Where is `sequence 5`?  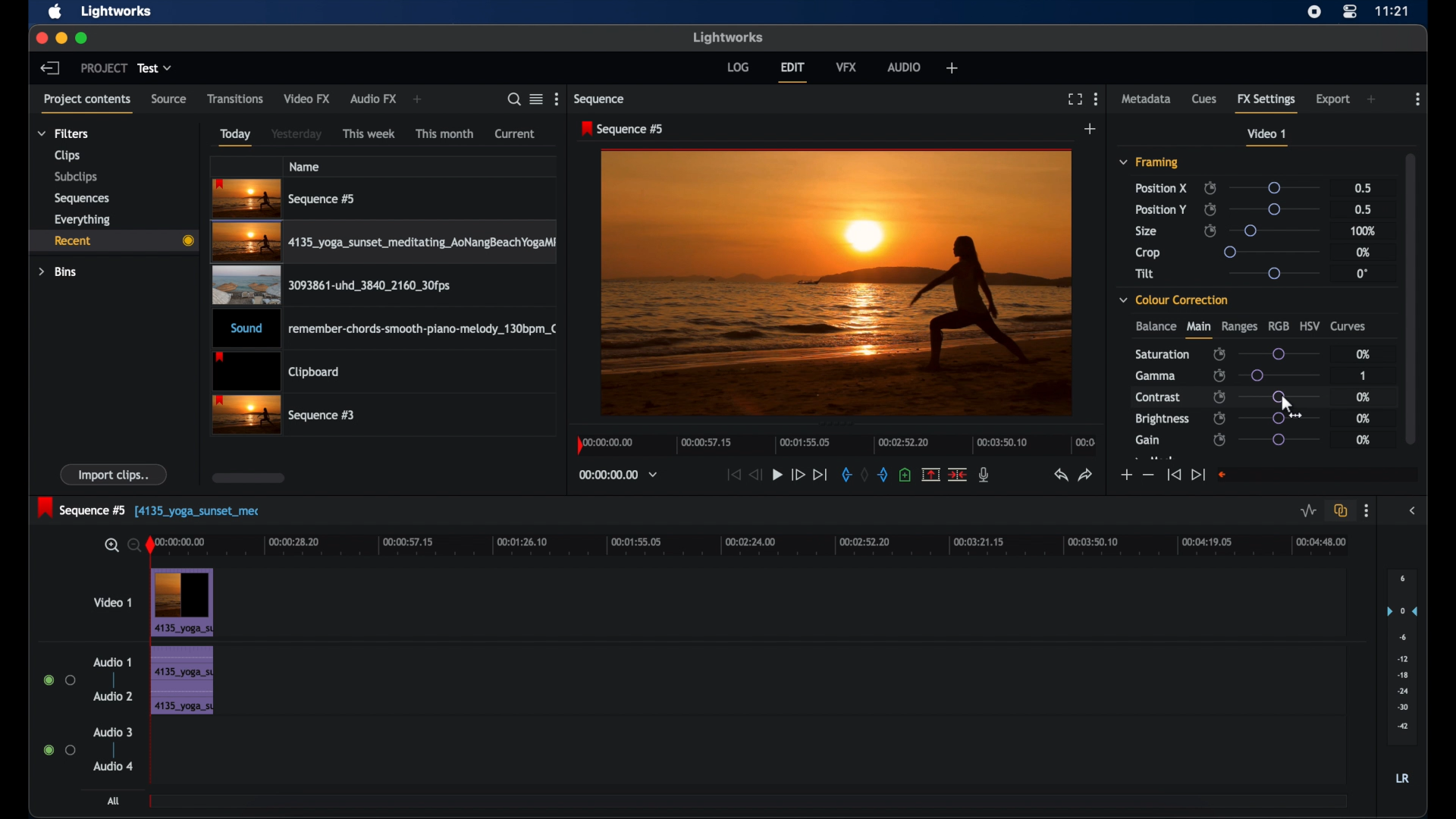 sequence 5 is located at coordinates (149, 509).